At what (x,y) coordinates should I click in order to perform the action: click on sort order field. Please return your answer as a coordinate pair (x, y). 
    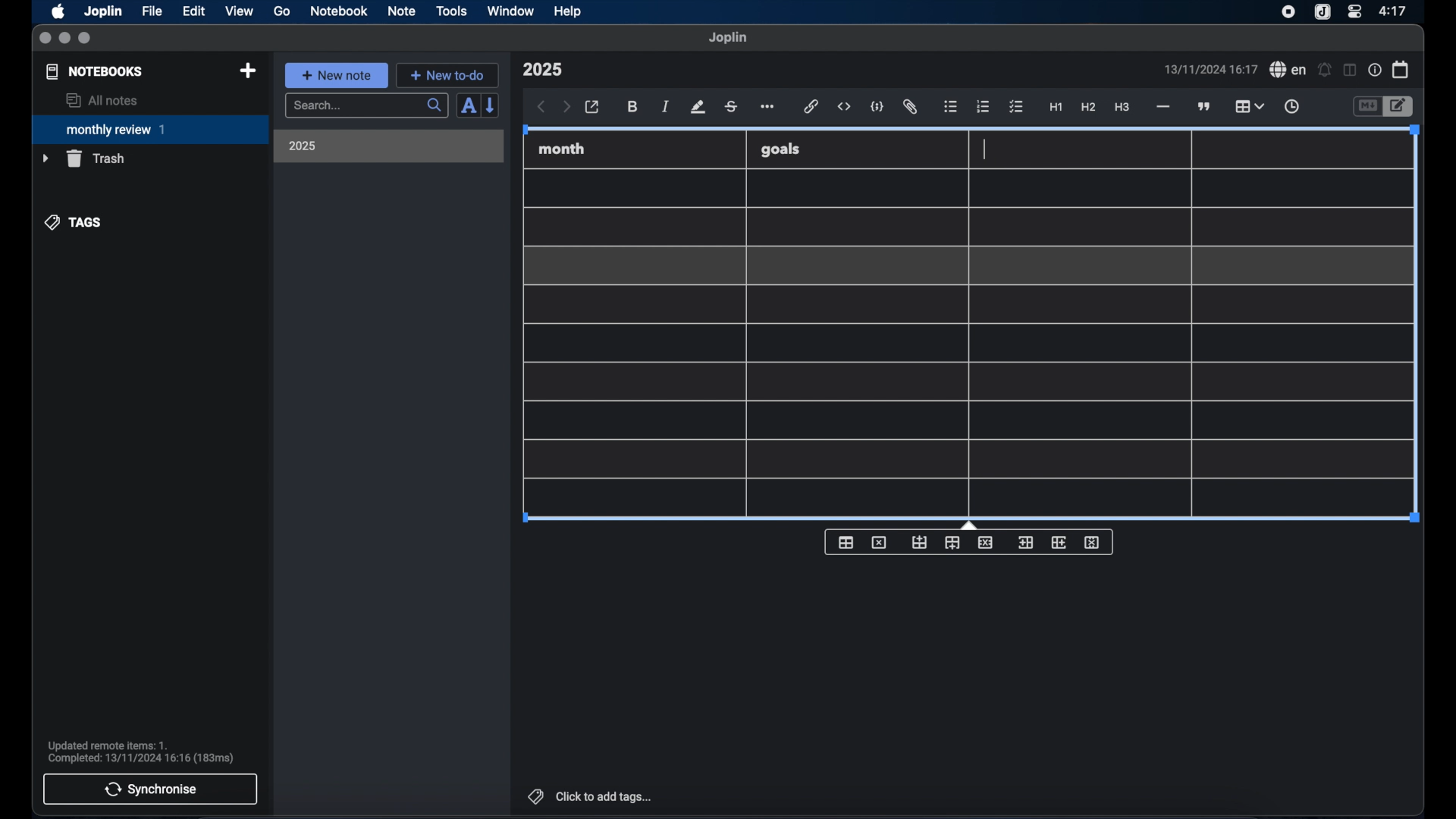
    Looking at the image, I should click on (468, 106).